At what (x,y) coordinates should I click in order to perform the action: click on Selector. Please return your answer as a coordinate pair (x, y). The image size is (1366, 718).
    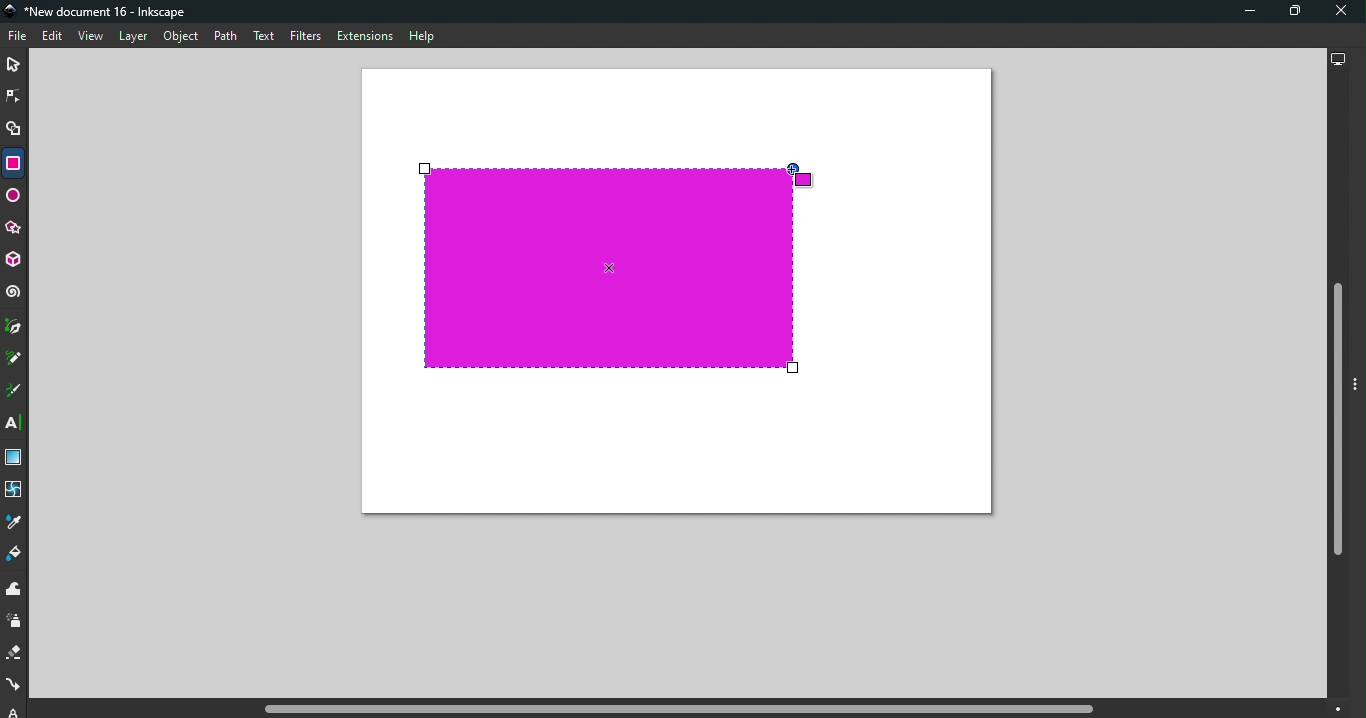
    Looking at the image, I should click on (13, 66).